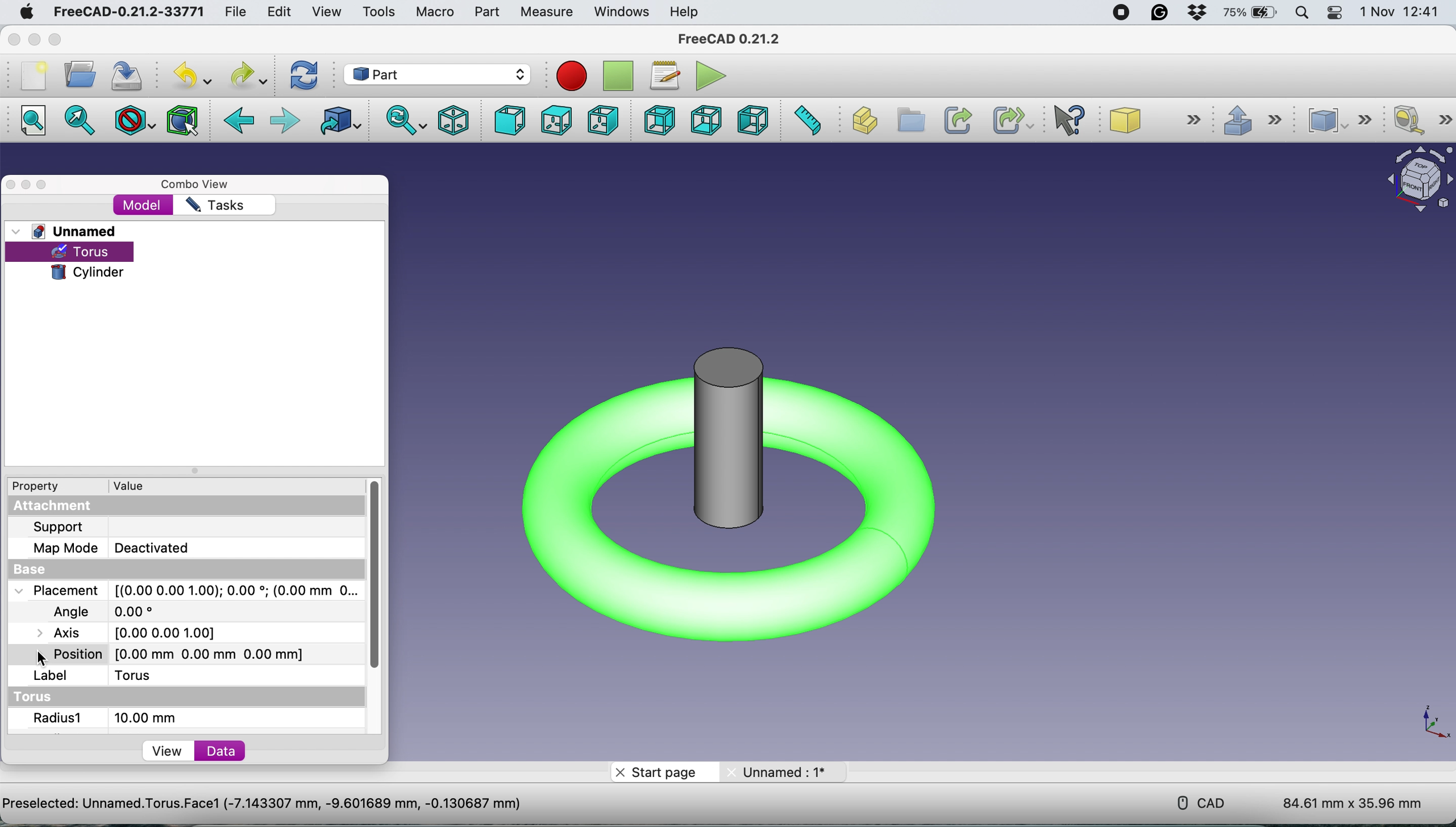  I want to click on create sub link, so click(1009, 121).